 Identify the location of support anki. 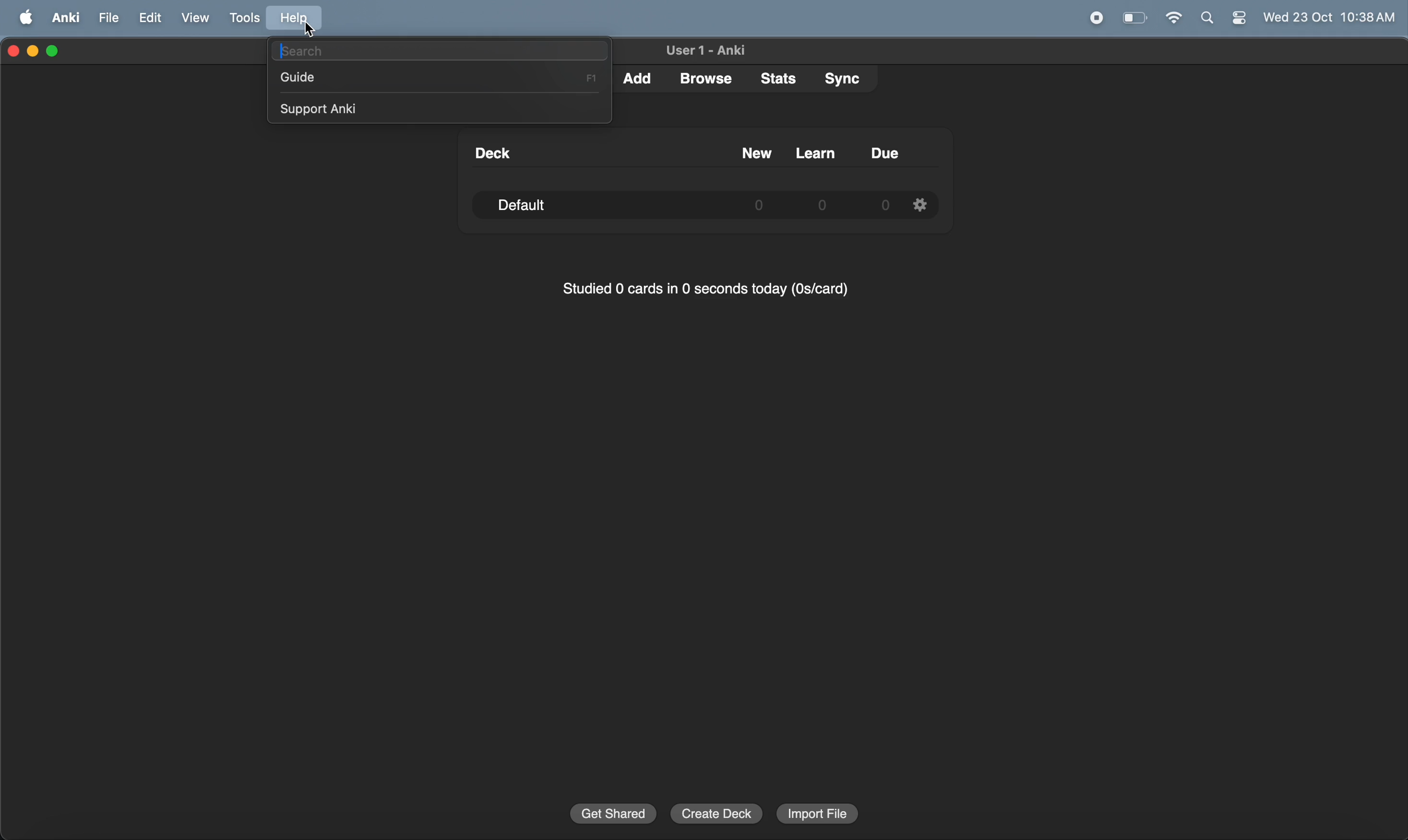
(442, 107).